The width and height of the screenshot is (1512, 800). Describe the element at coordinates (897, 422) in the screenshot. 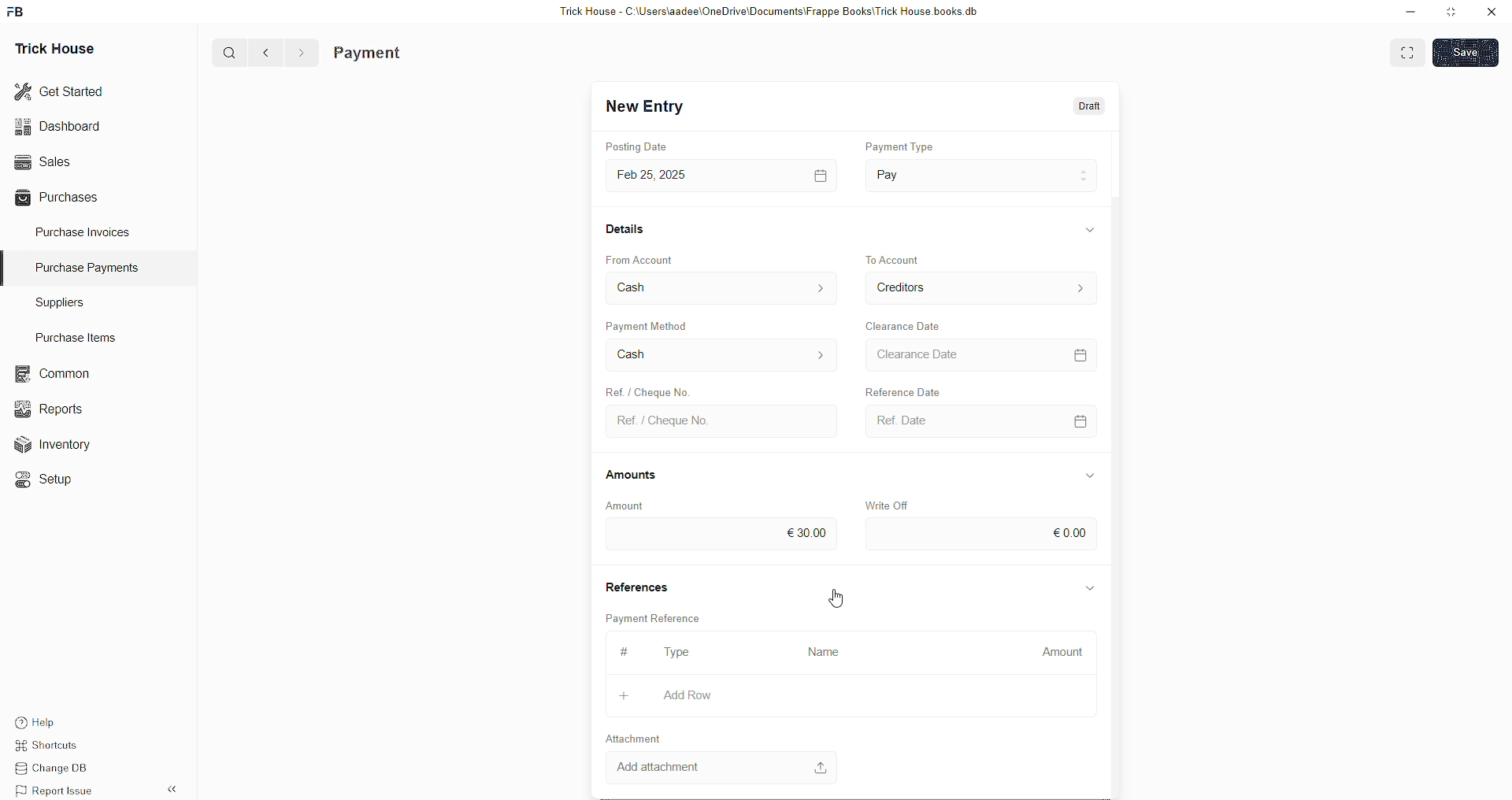

I see `Ref. Date` at that location.